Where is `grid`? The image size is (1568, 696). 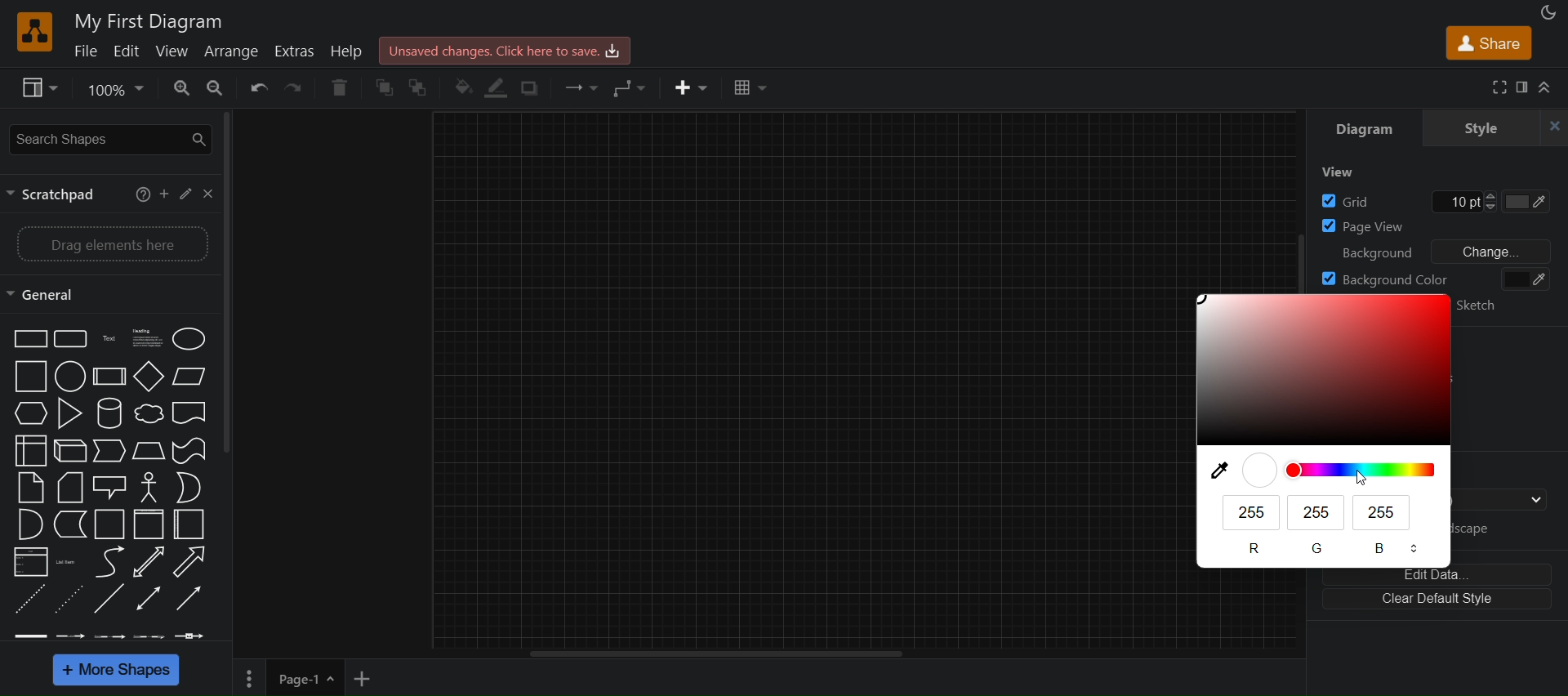 grid is located at coordinates (1433, 199).